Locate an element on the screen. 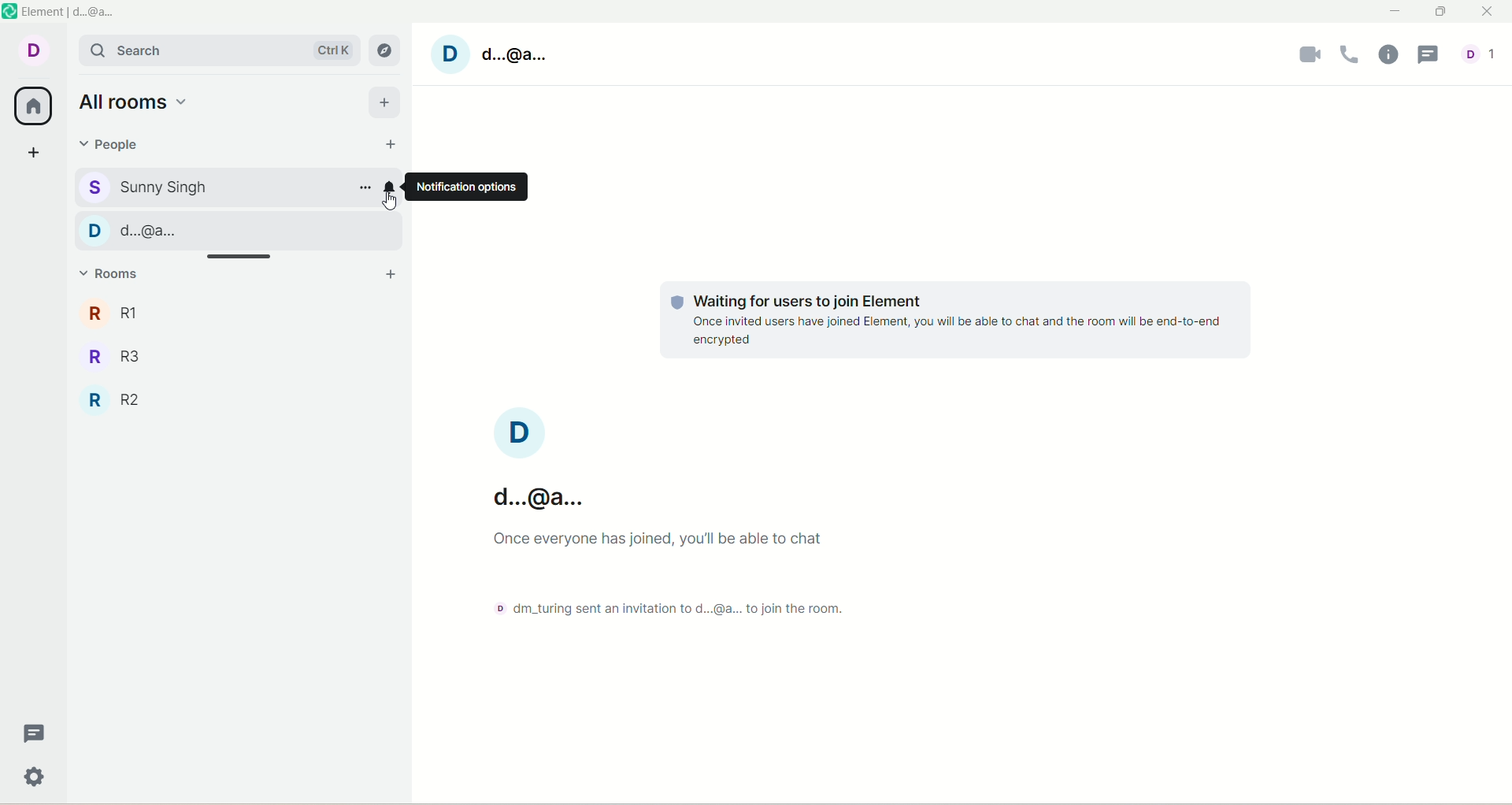  text is located at coordinates (676, 572).